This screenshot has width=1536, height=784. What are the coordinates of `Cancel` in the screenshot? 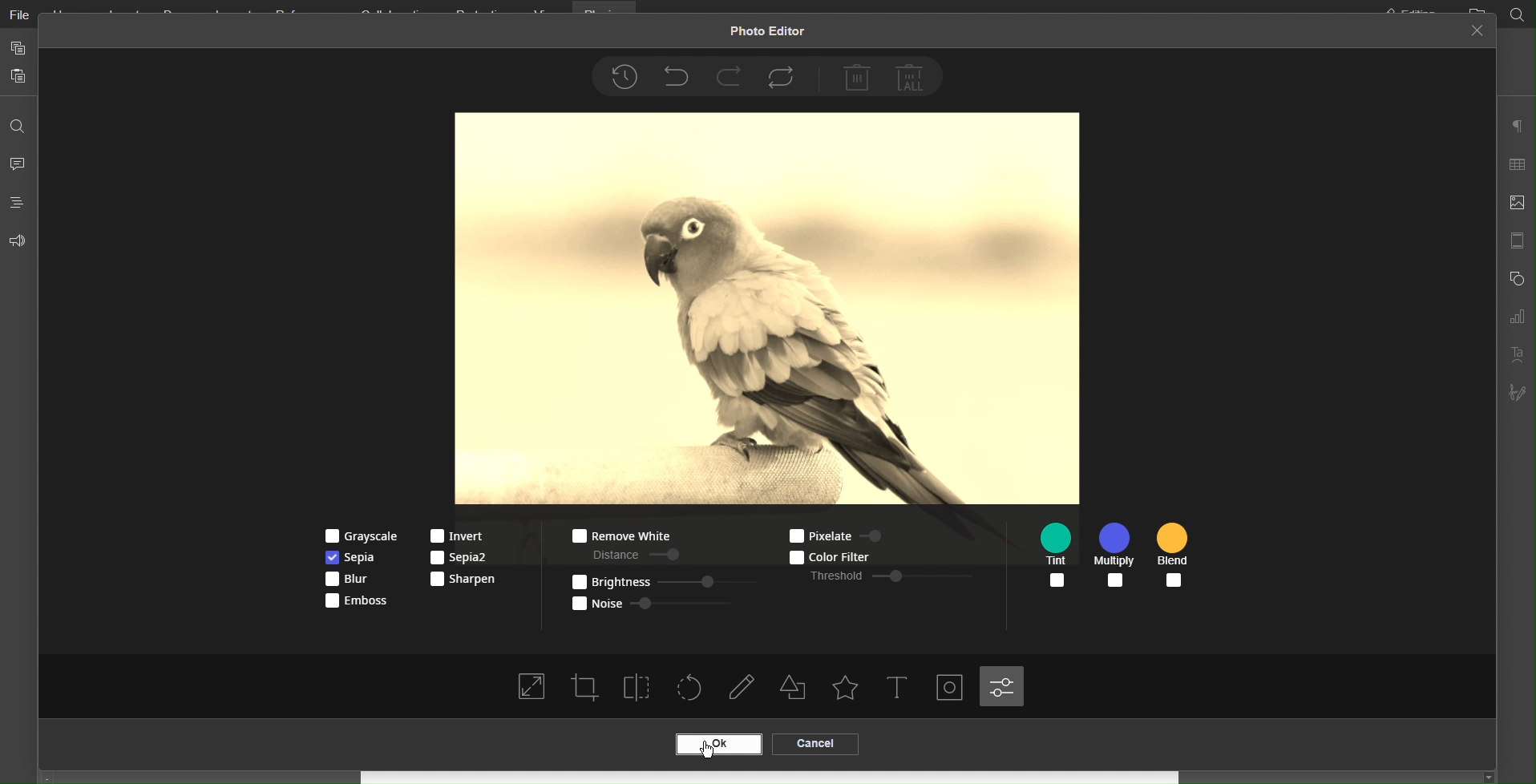 It's located at (1477, 32).